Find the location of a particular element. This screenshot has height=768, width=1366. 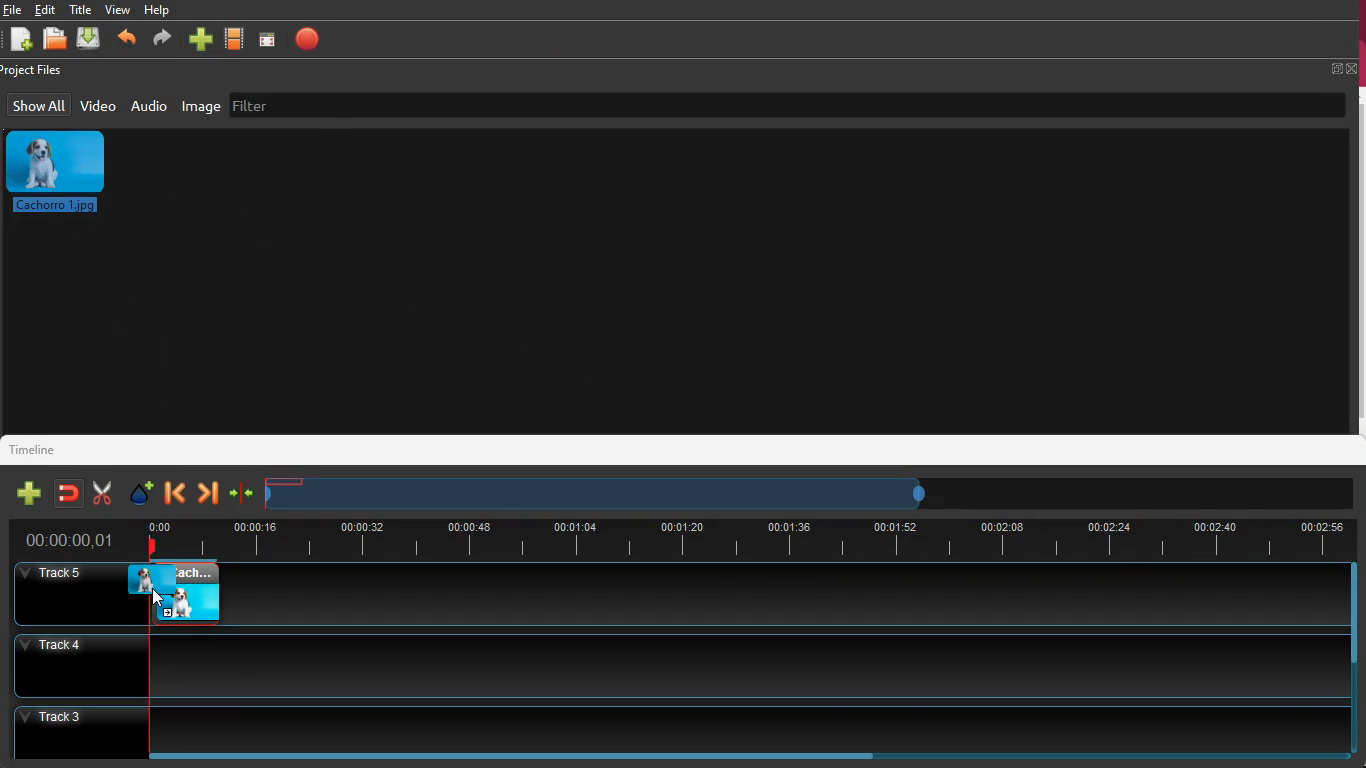

back is located at coordinates (172, 494).